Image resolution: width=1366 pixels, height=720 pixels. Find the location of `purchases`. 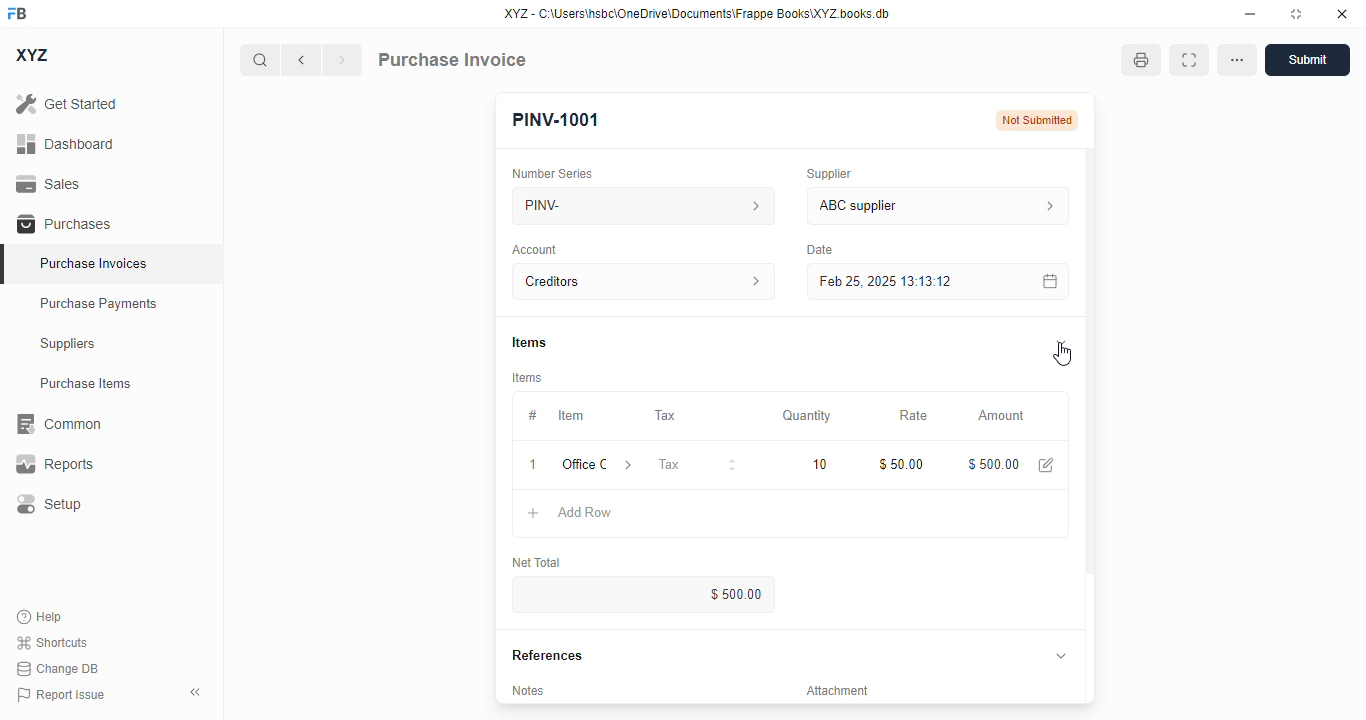

purchases is located at coordinates (64, 224).